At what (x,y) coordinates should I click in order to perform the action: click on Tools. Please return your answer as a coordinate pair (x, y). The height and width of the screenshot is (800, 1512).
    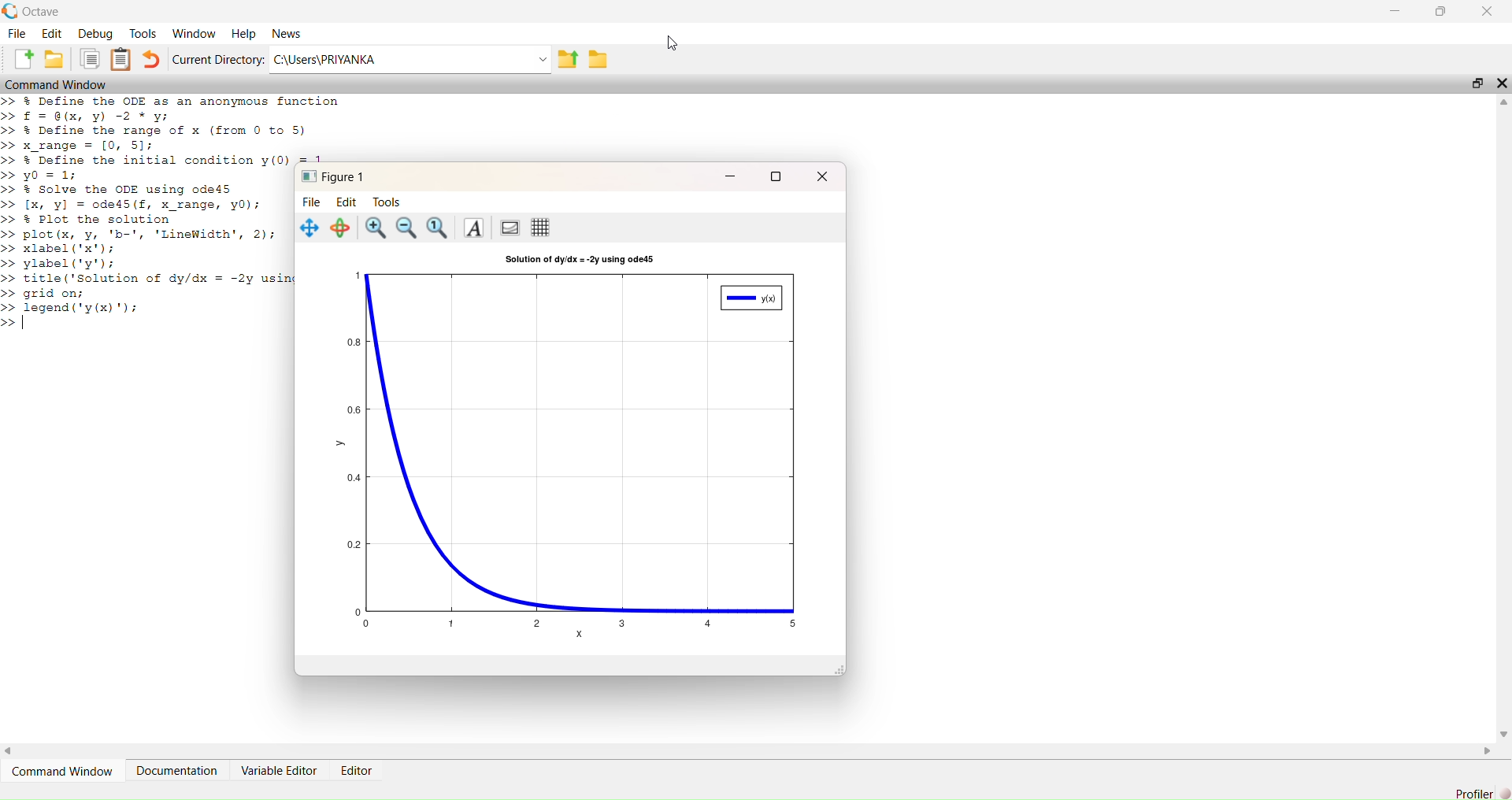
    Looking at the image, I should click on (143, 33).